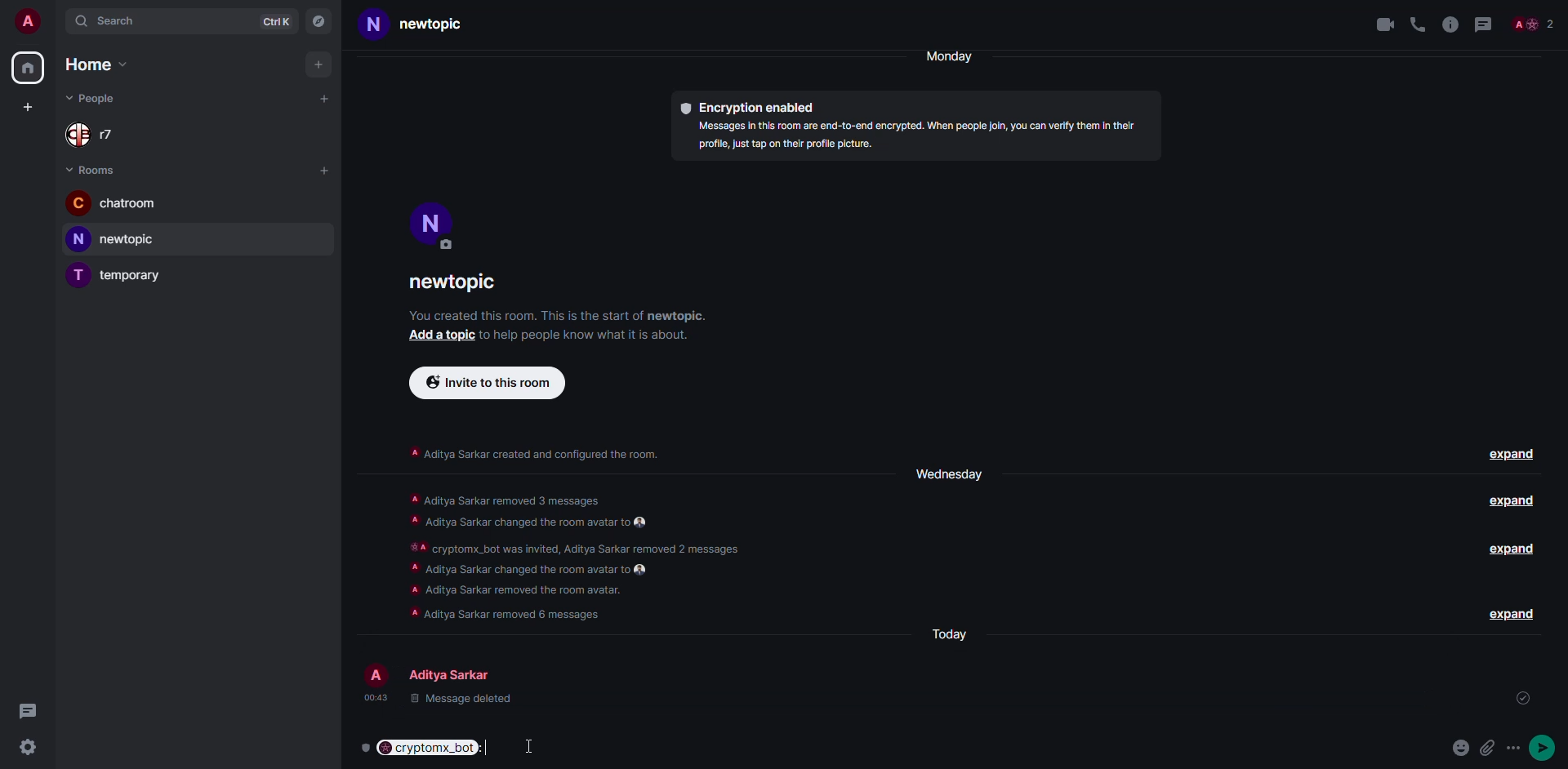 This screenshot has width=1568, height=769. I want to click on people, so click(96, 96).